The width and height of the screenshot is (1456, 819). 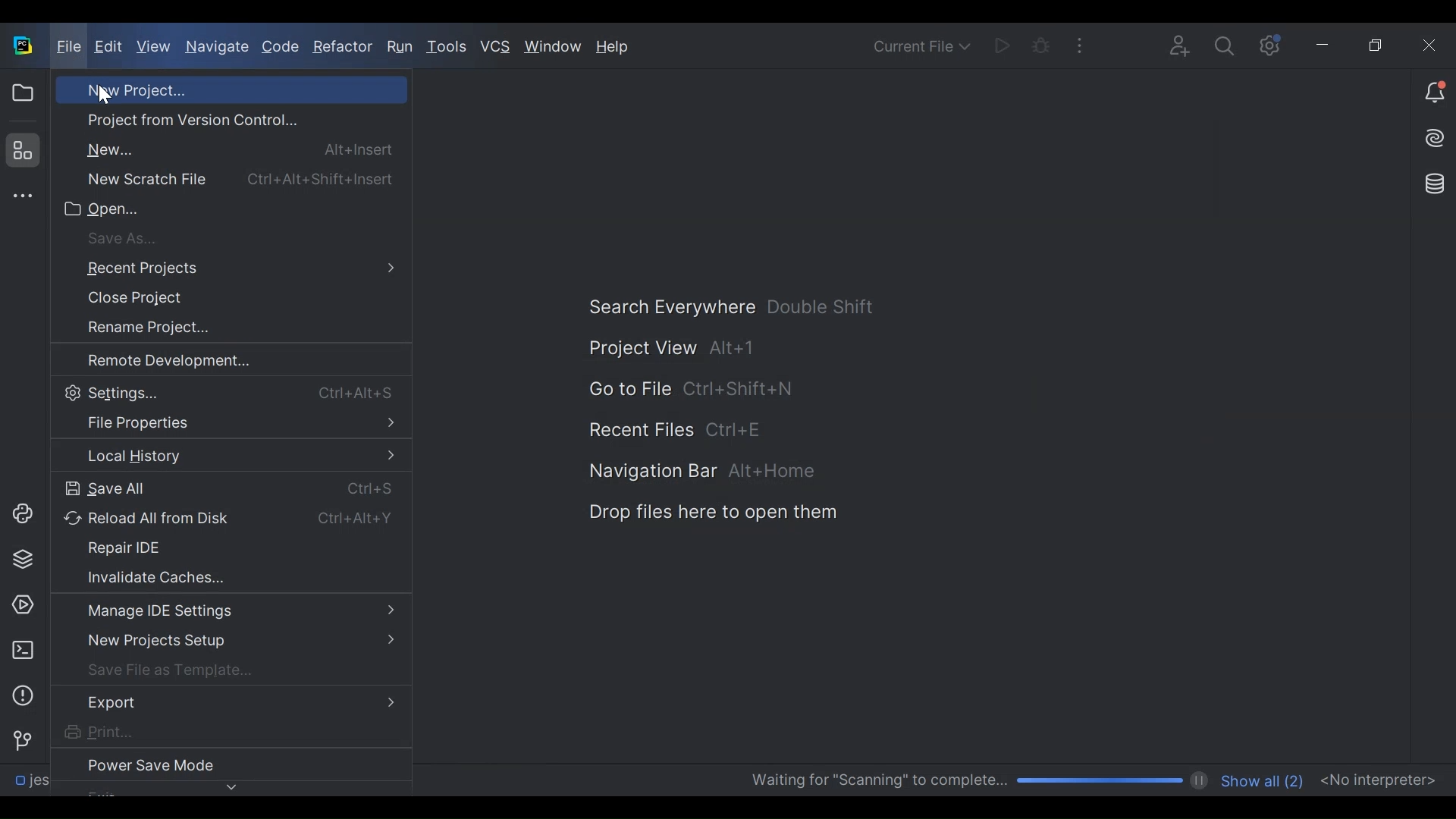 I want to click on Repair IDE, so click(x=211, y=548).